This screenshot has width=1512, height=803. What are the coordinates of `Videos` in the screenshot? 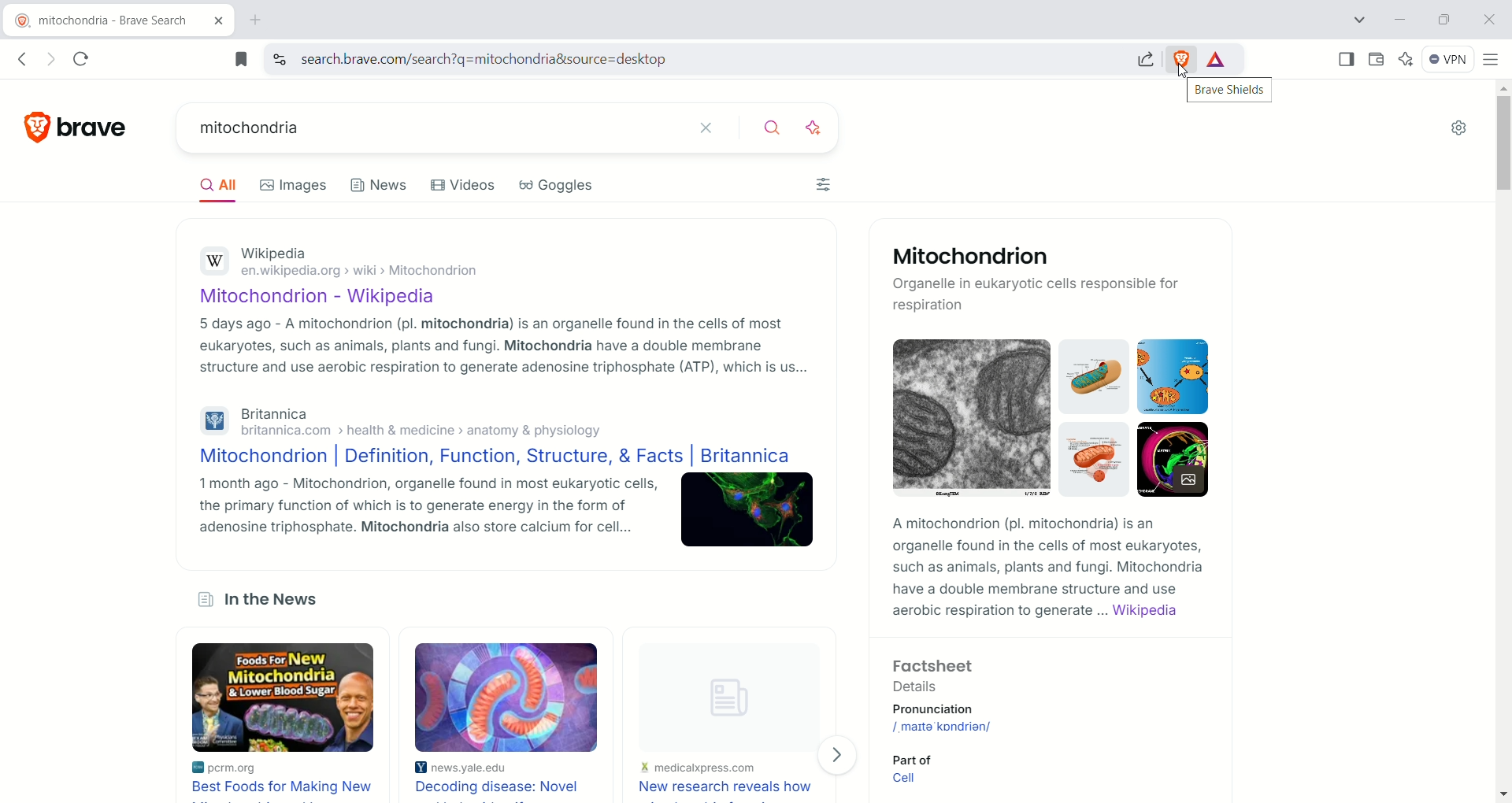 It's located at (464, 184).